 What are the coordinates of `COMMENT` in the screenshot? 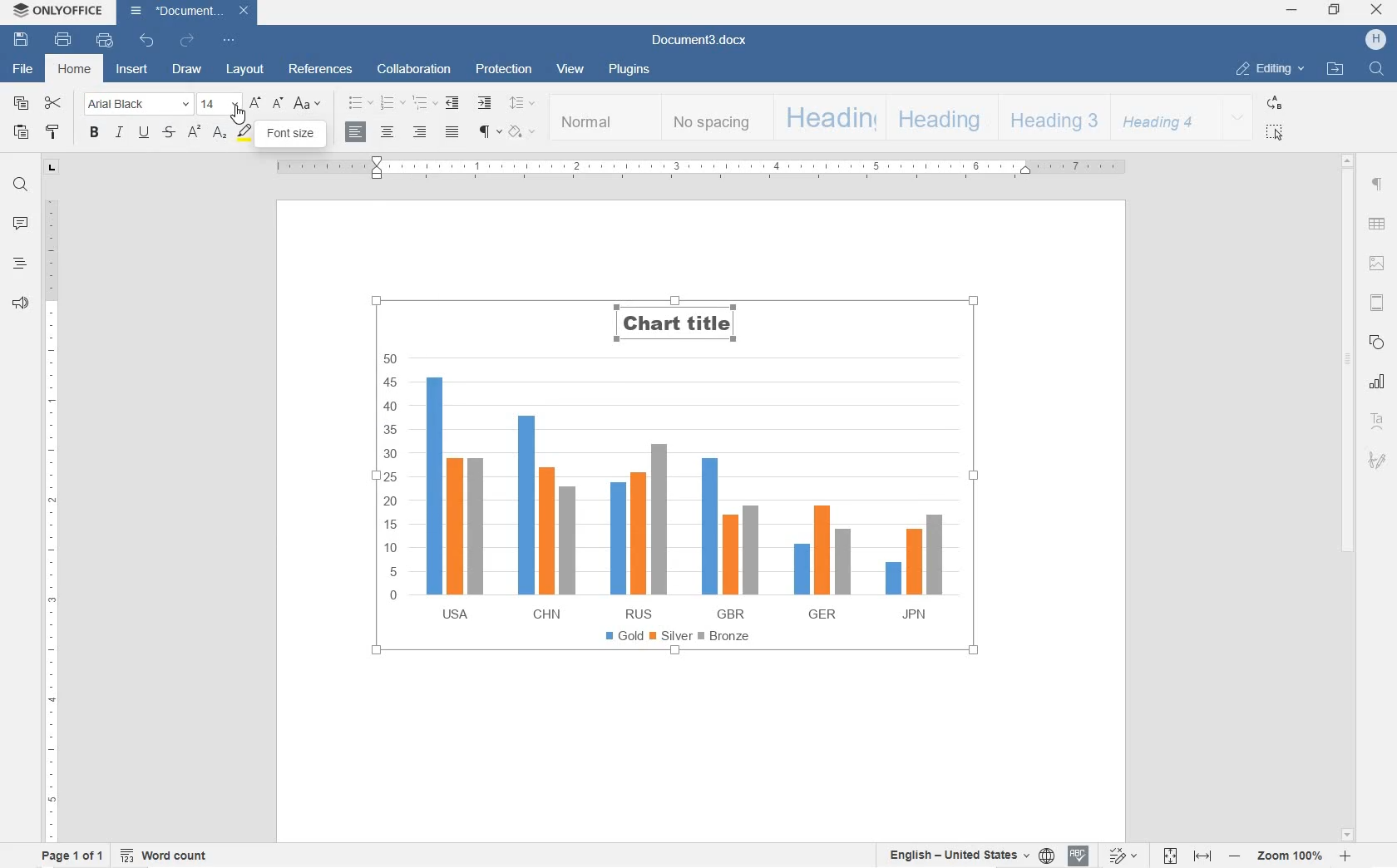 It's located at (21, 223).